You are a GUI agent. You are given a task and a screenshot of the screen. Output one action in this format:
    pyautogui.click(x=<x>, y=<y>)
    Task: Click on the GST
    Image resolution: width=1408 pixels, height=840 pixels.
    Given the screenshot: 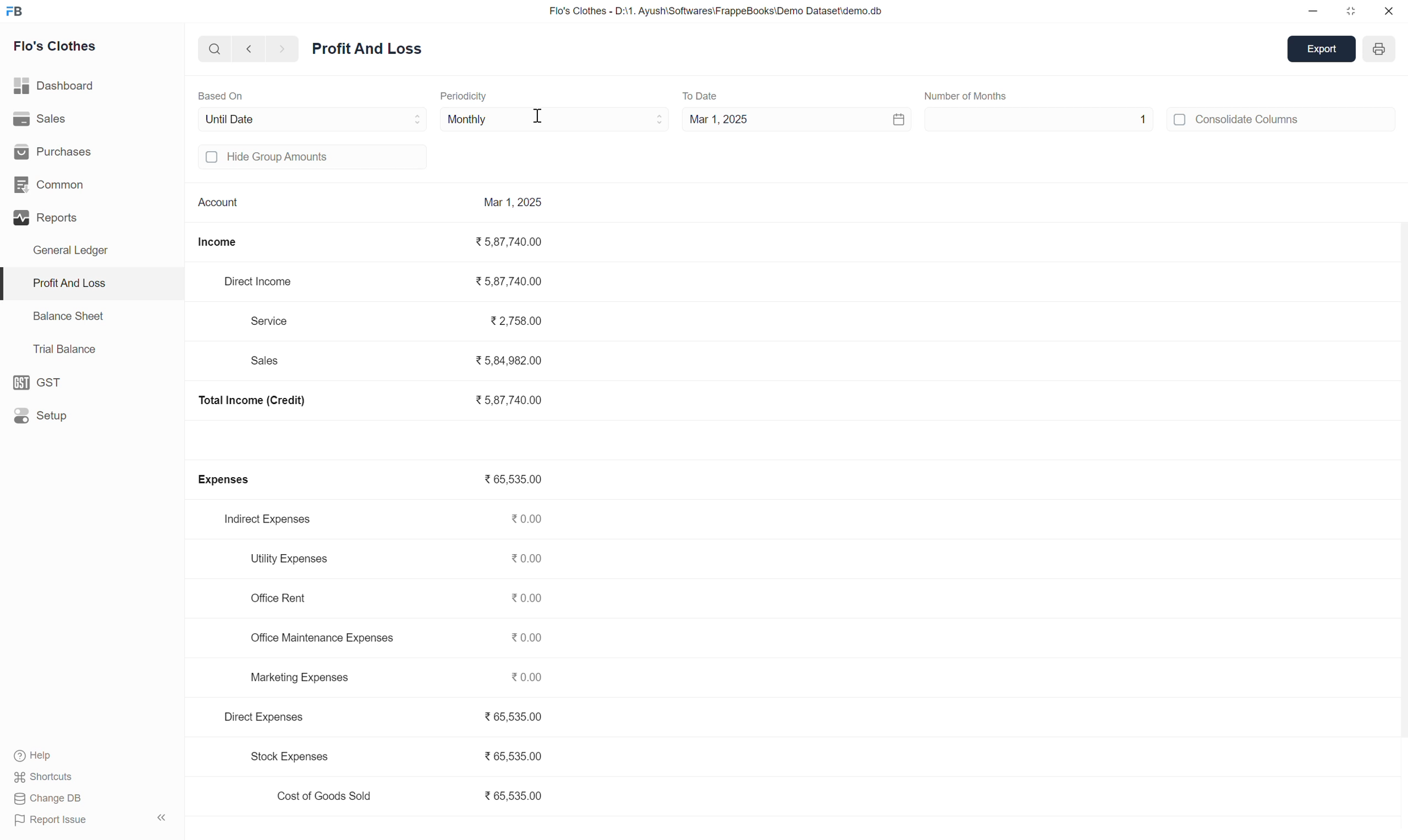 What is the action you would take?
    pyautogui.click(x=48, y=380)
    